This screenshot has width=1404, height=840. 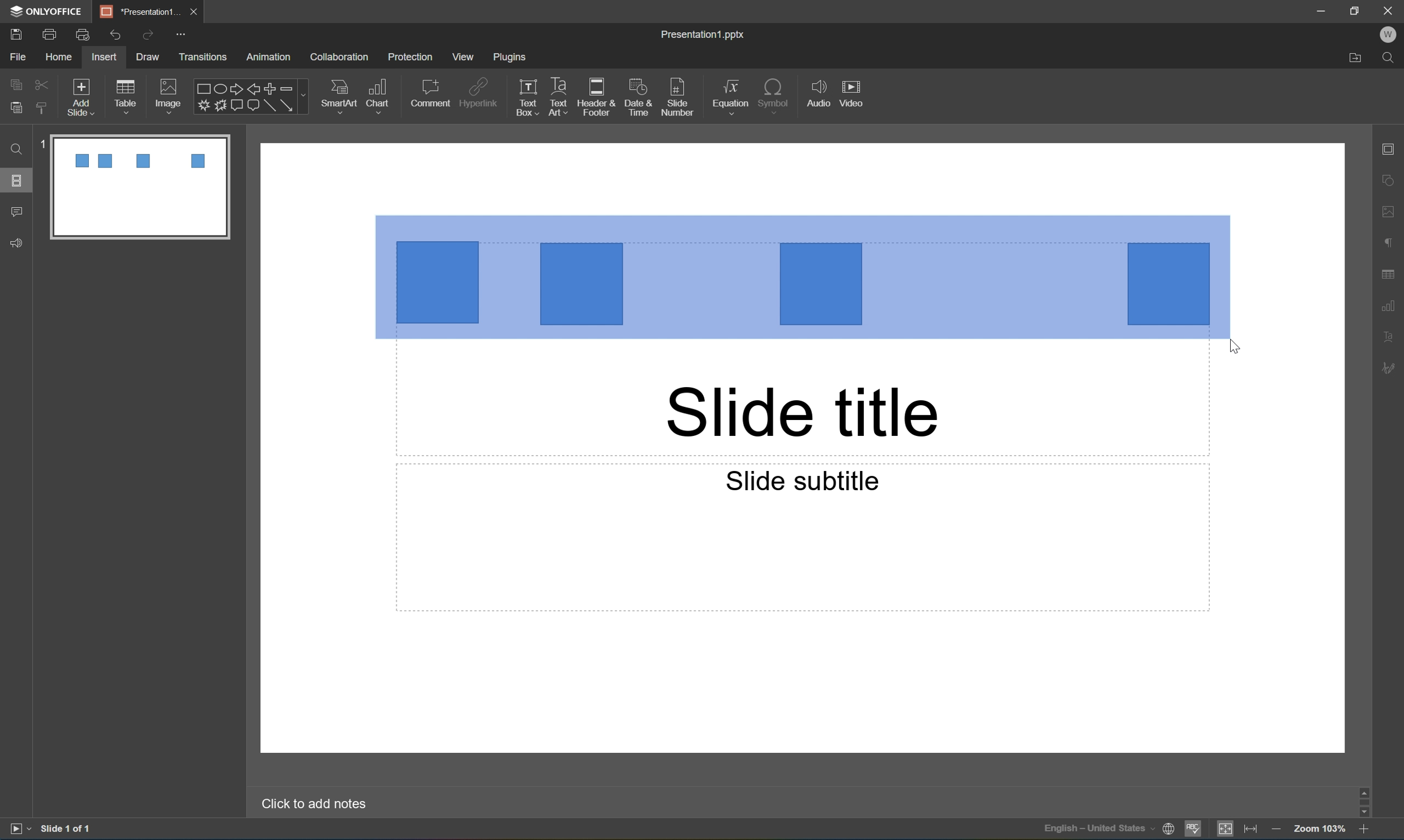 What do you see at coordinates (641, 99) in the screenshot?
I see `date & time` at bounding box center [641, 99].